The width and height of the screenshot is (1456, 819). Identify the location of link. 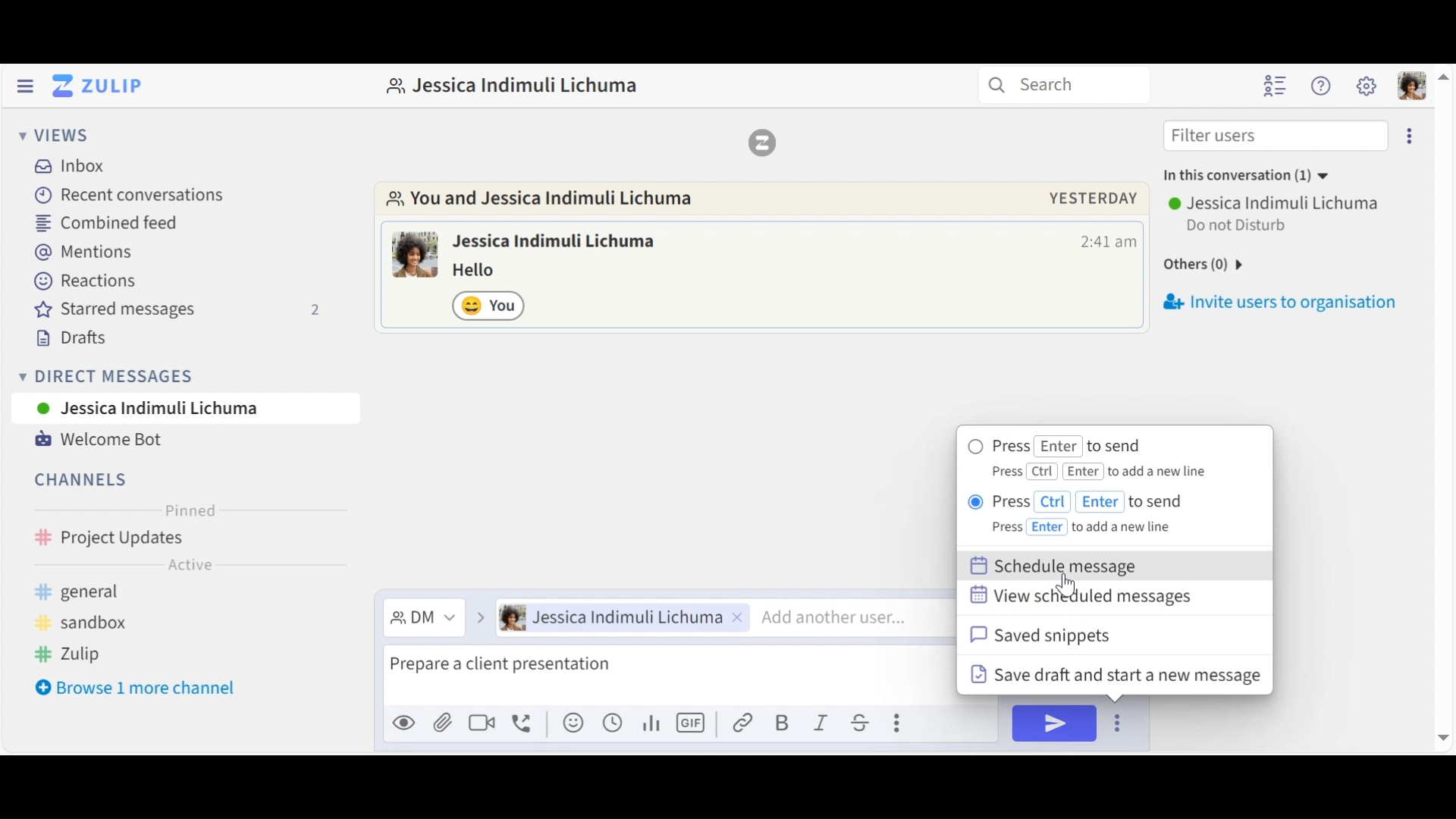
(745, 723).